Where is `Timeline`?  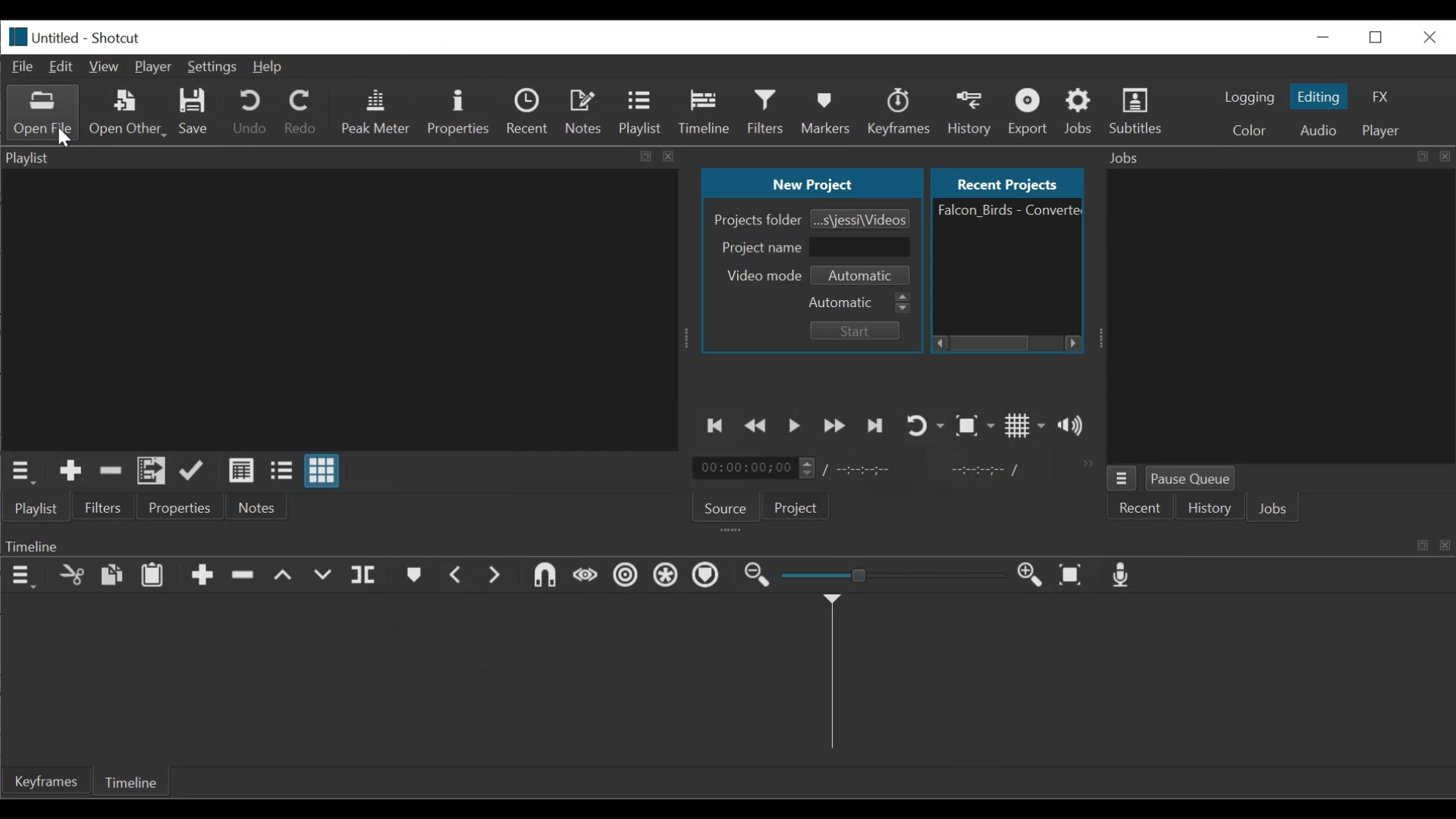
Timeline is located at coordinates (704, 112).